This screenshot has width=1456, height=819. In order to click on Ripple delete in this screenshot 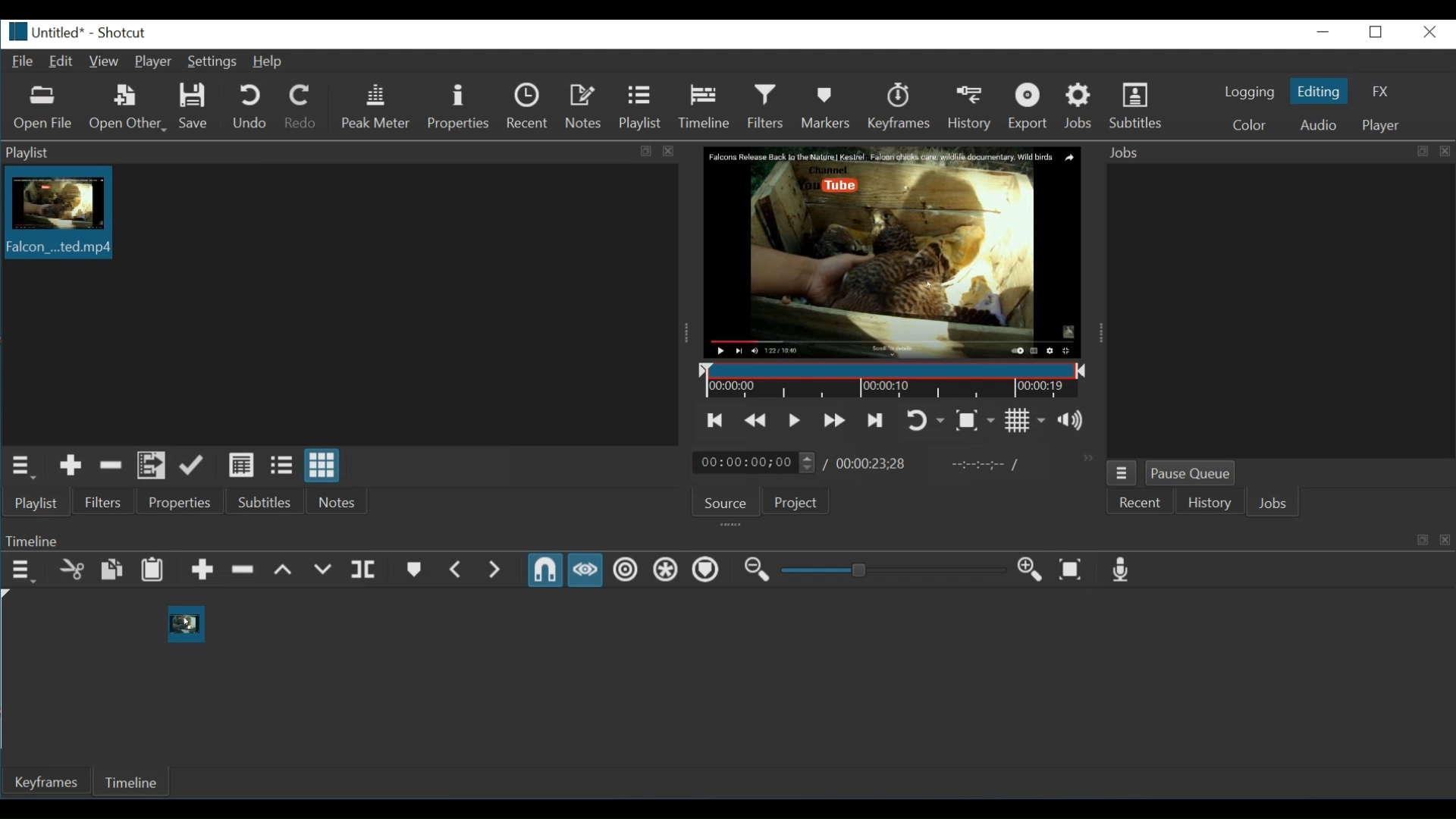, I will do `click(243, 570)`.